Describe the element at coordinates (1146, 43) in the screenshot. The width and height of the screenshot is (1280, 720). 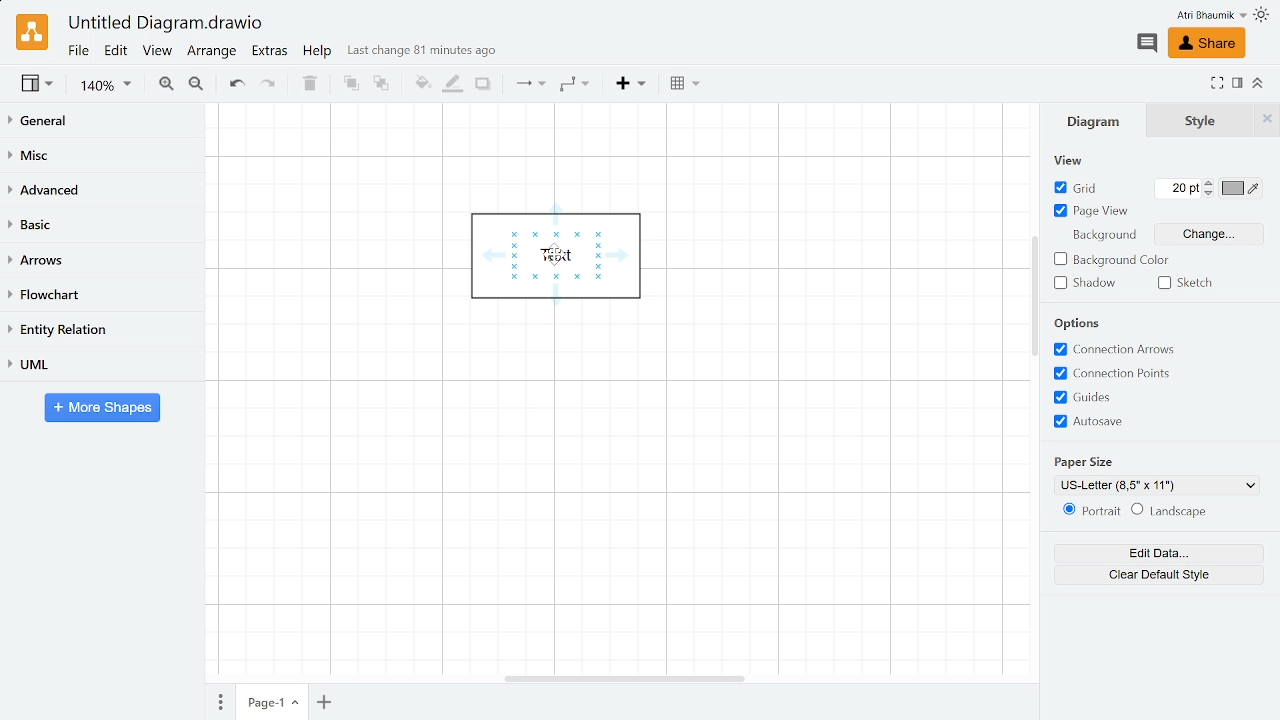
I see `Comment` at that location.